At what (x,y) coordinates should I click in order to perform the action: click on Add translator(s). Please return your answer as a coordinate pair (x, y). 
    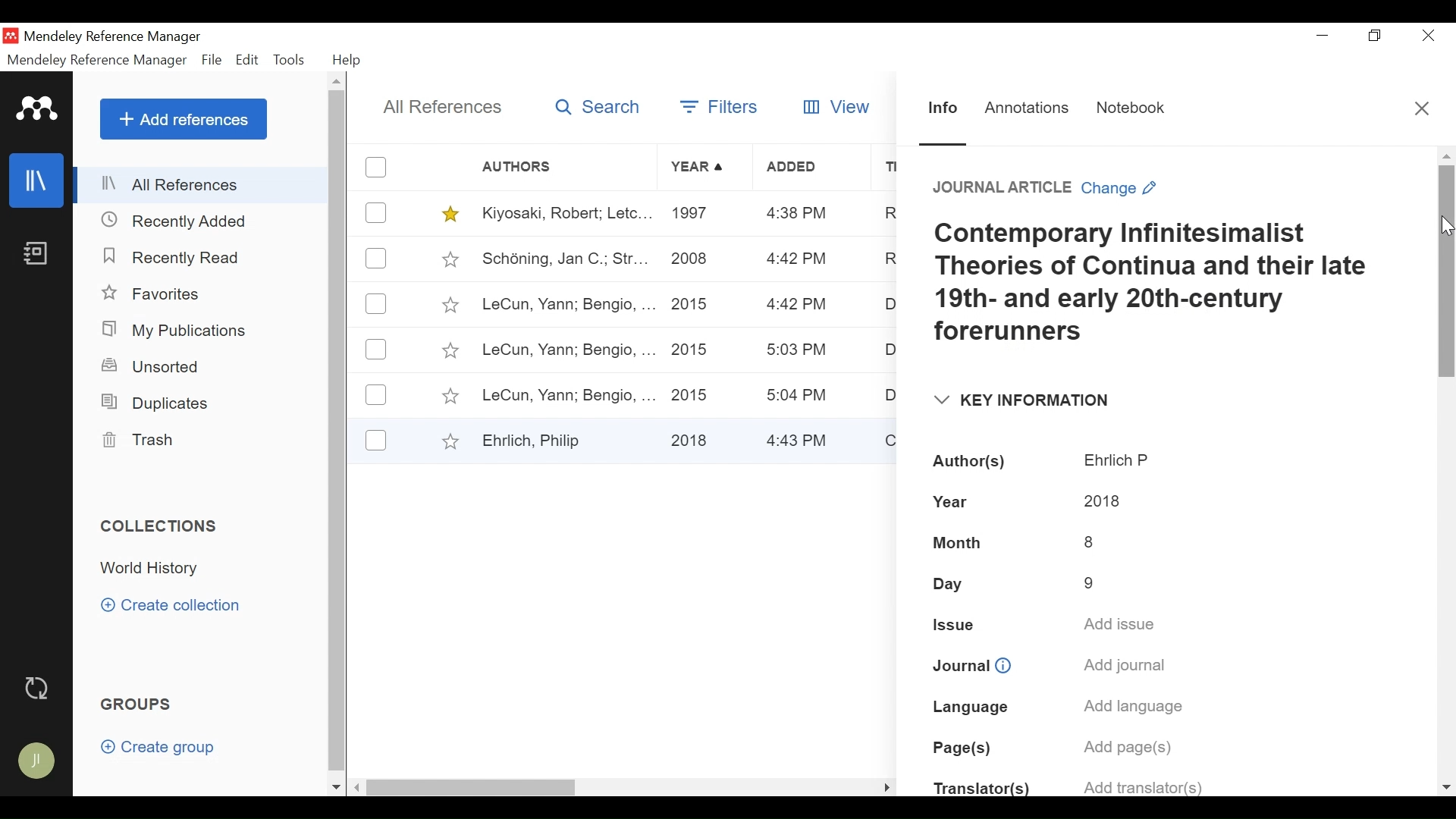
    Looking at the image, I should click on (1140, 786).